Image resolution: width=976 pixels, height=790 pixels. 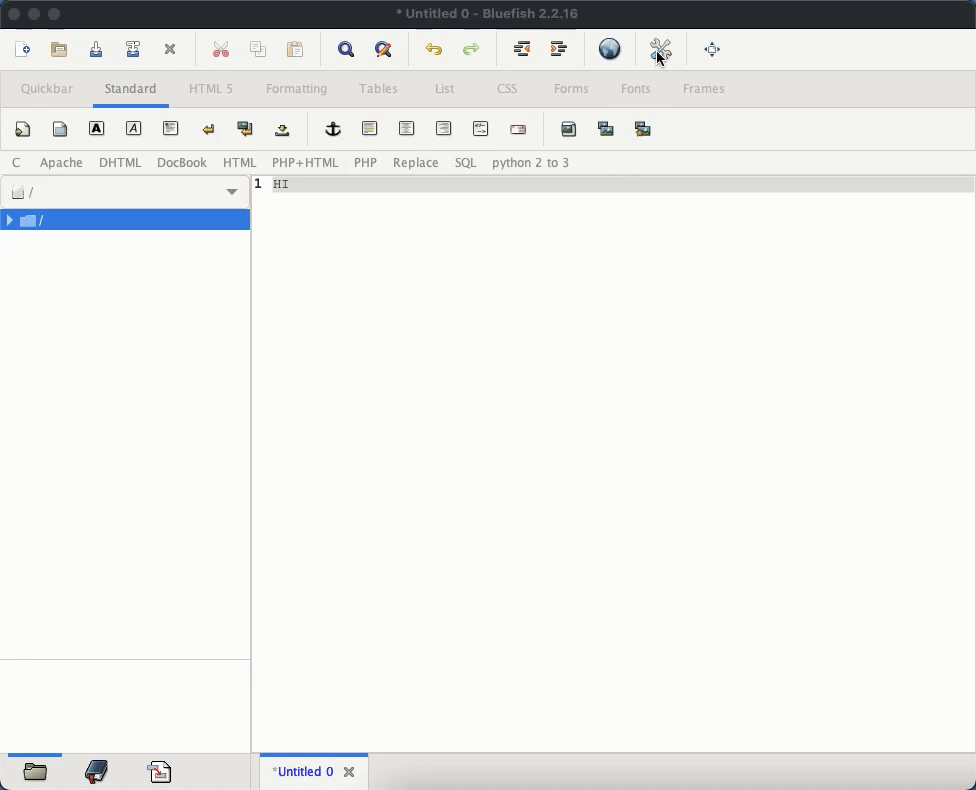 I want to click on edit preferences, so click(x=657, y=49).